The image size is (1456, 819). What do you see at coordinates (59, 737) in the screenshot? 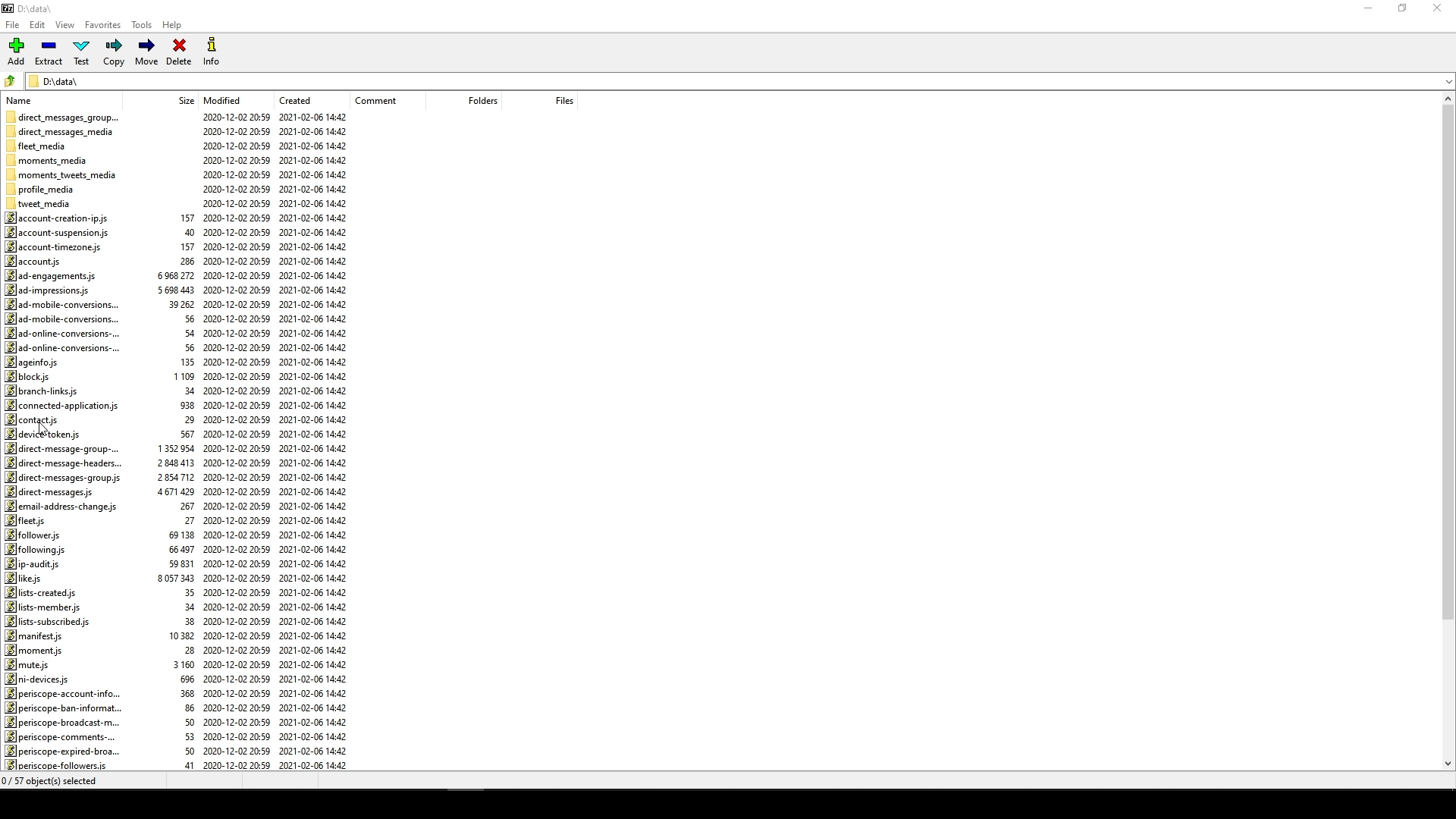
I see `periscope-comments` at bounding box center [59, 737].